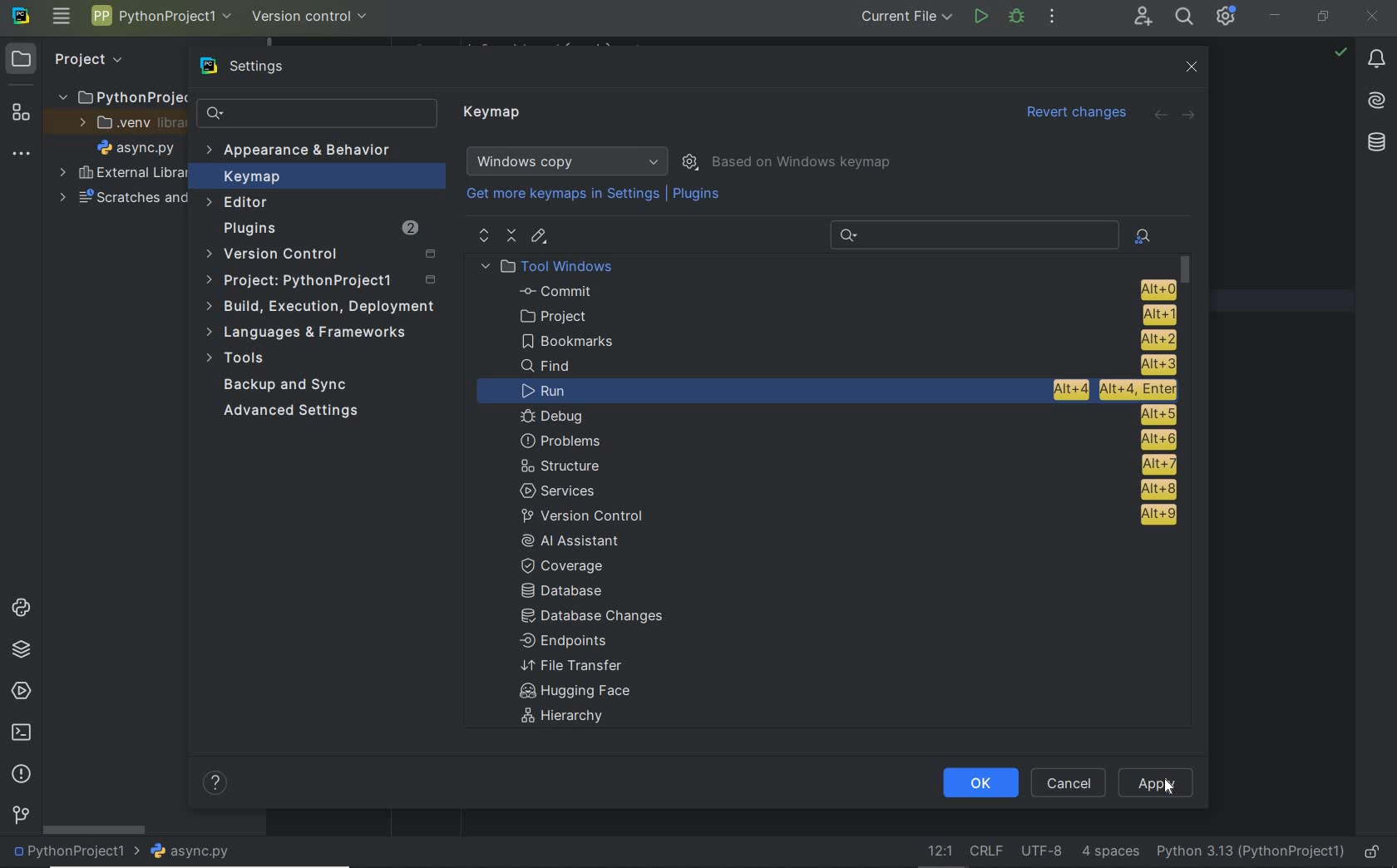  I want to click on current file, so click(901, 18).